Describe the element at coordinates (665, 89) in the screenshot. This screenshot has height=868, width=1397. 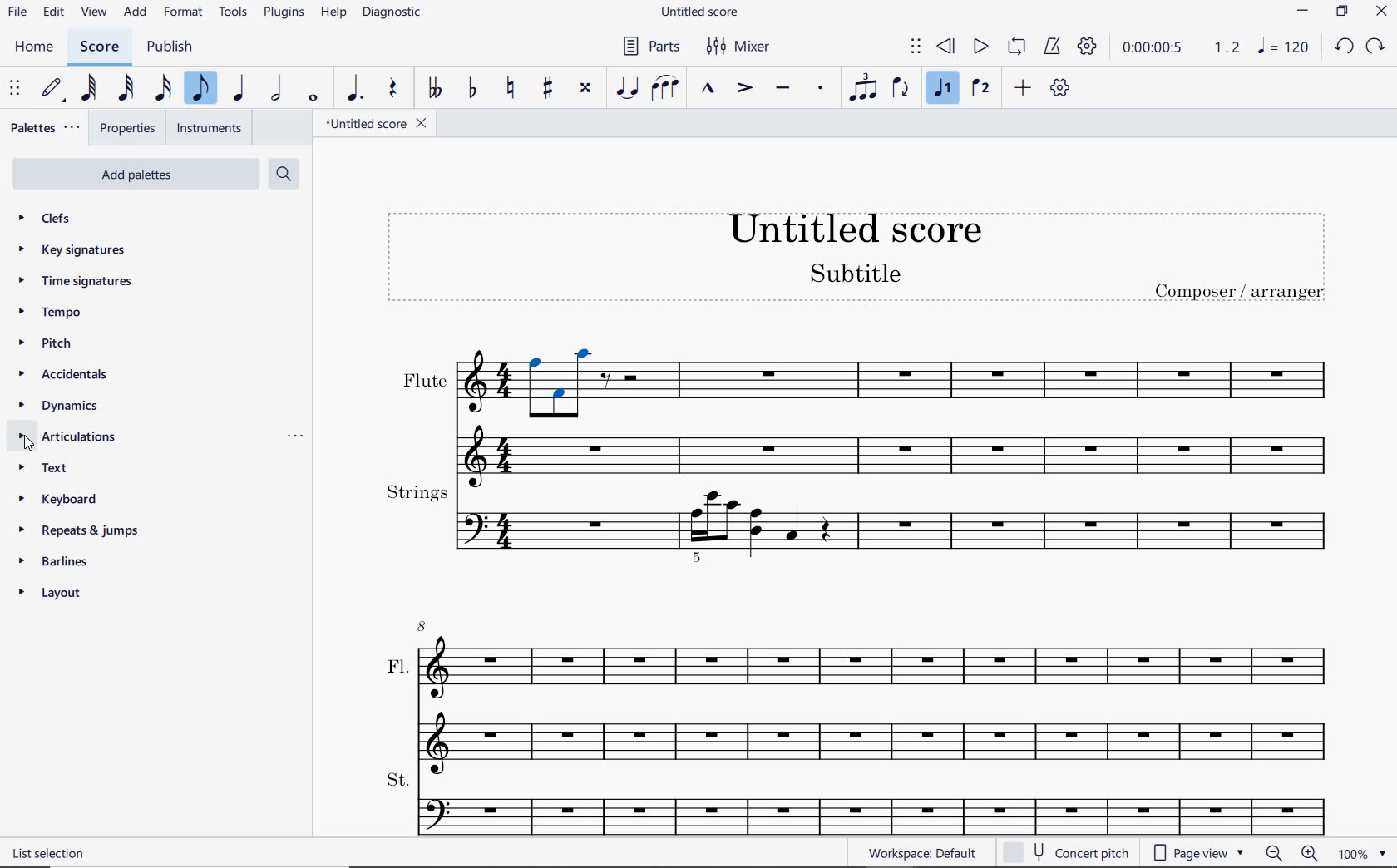
I see `SLUR` at that location.